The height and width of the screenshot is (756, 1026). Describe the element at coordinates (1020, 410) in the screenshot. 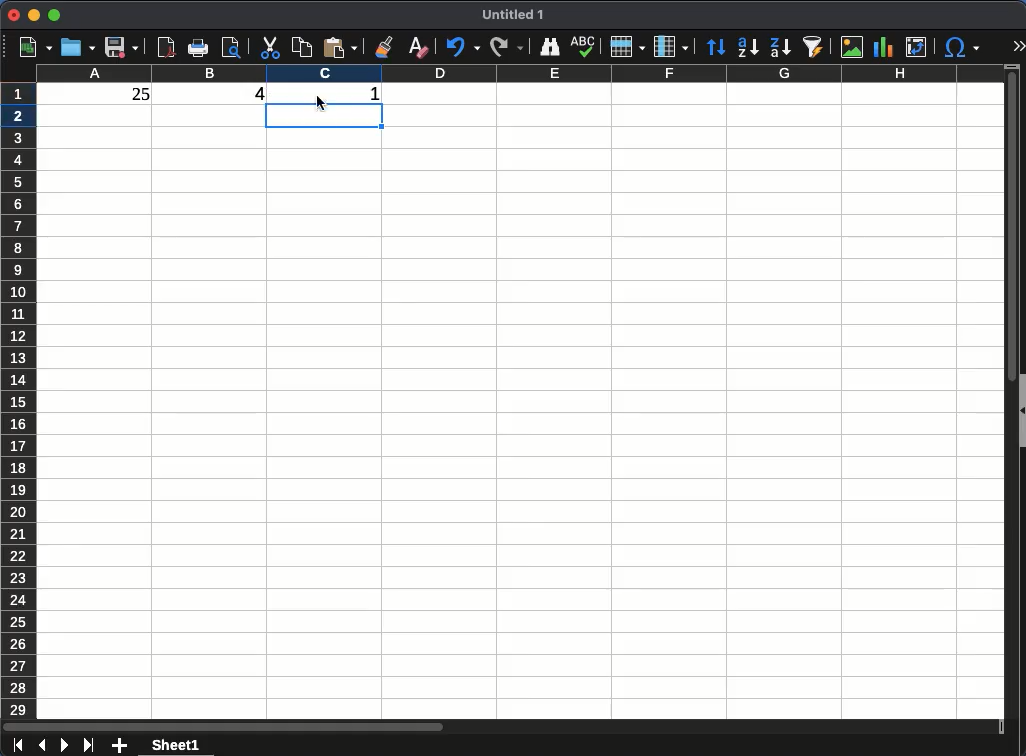

I see `collapse` at that location.